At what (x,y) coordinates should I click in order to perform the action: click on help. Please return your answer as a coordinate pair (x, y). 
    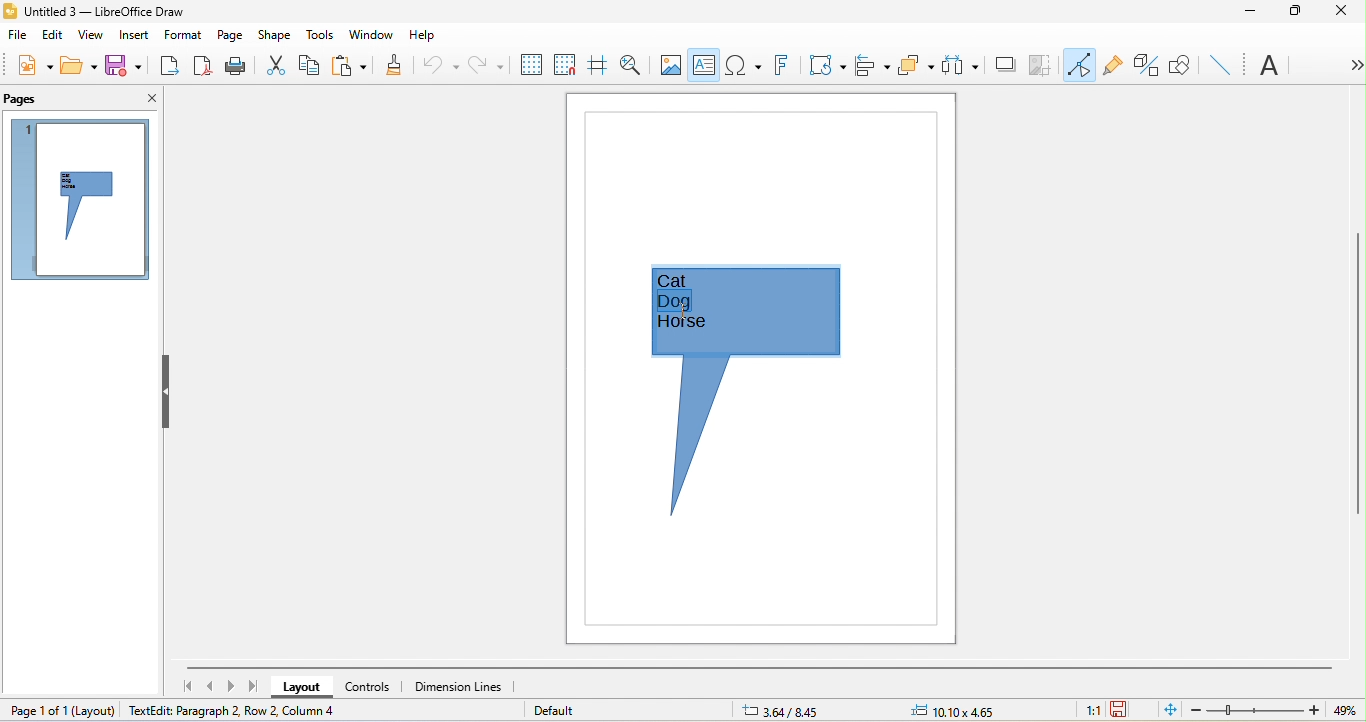
    Looking at the image, I should click on (422, 33).